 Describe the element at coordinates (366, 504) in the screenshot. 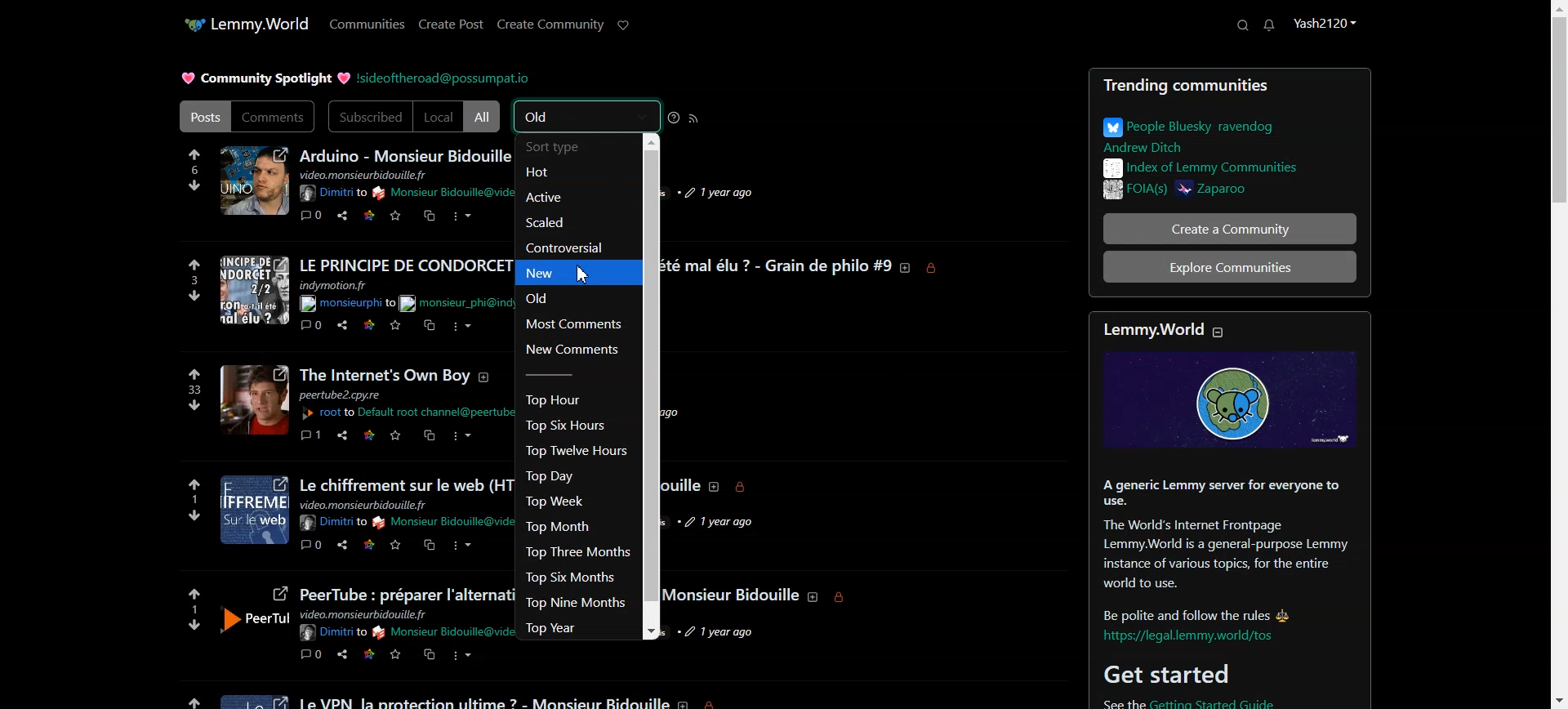

I see `` at that location.